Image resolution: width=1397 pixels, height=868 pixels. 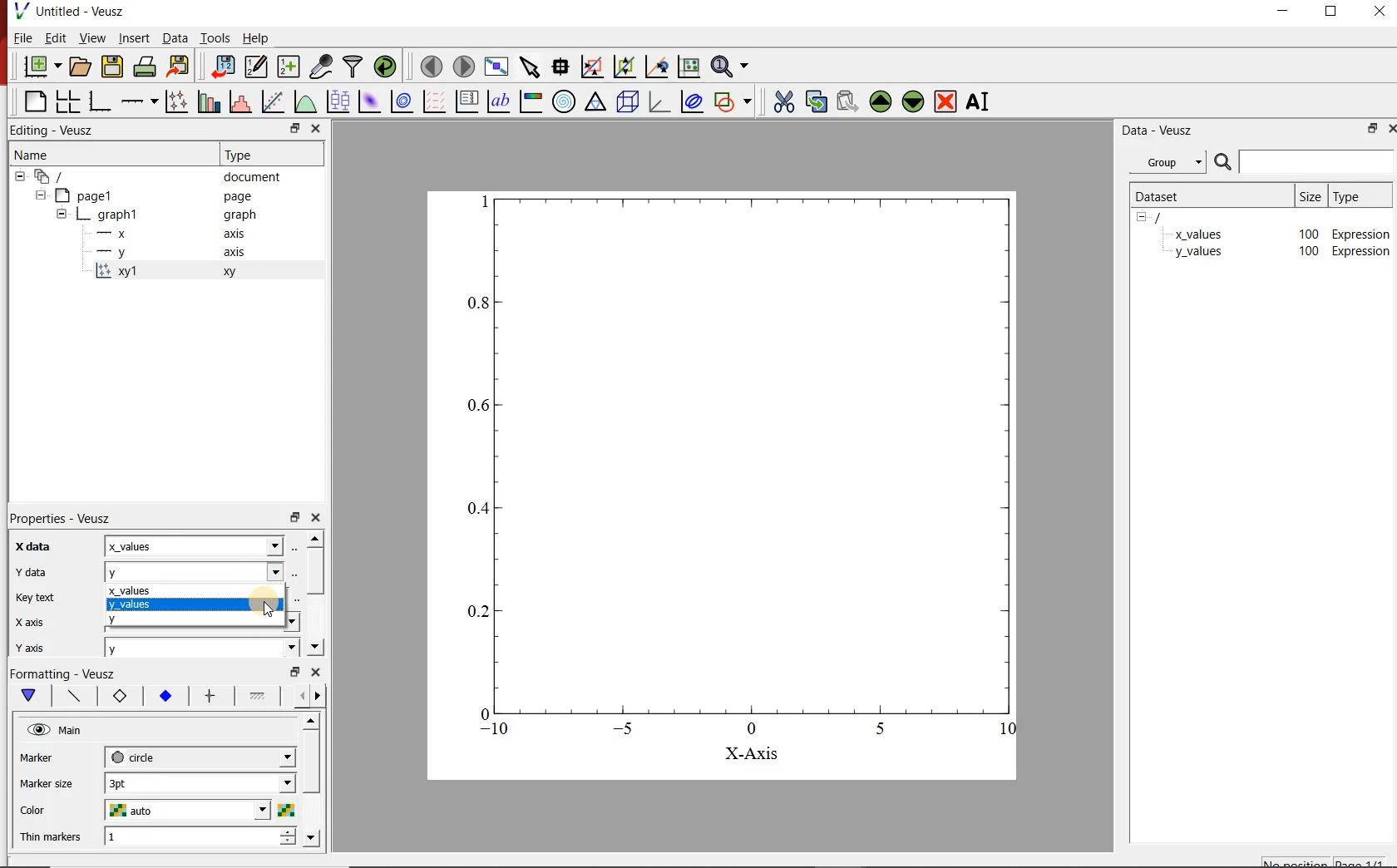 I want to click on Marker size, so click(x=45, y=785).